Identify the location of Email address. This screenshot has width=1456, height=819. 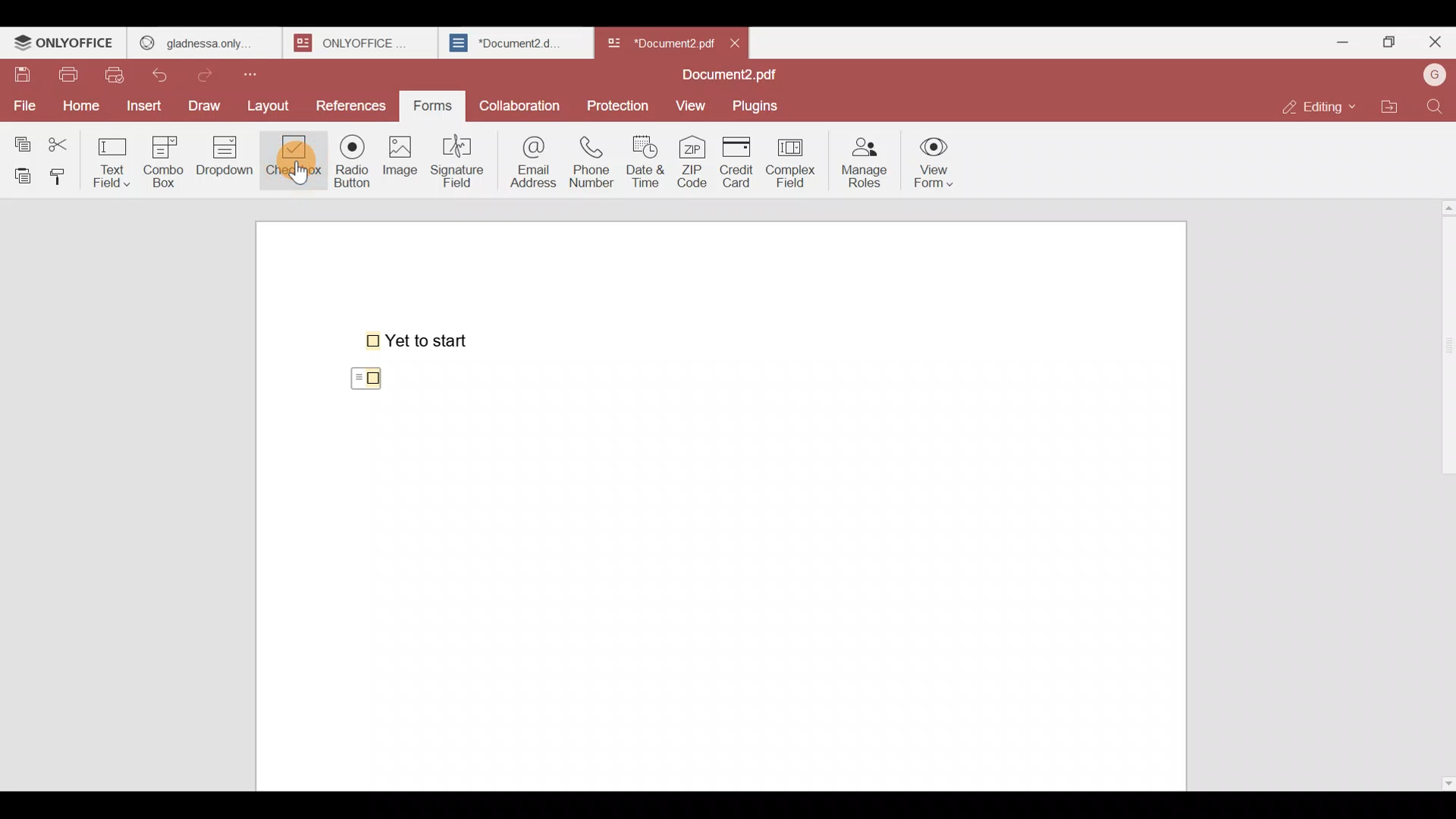
(530, 160).